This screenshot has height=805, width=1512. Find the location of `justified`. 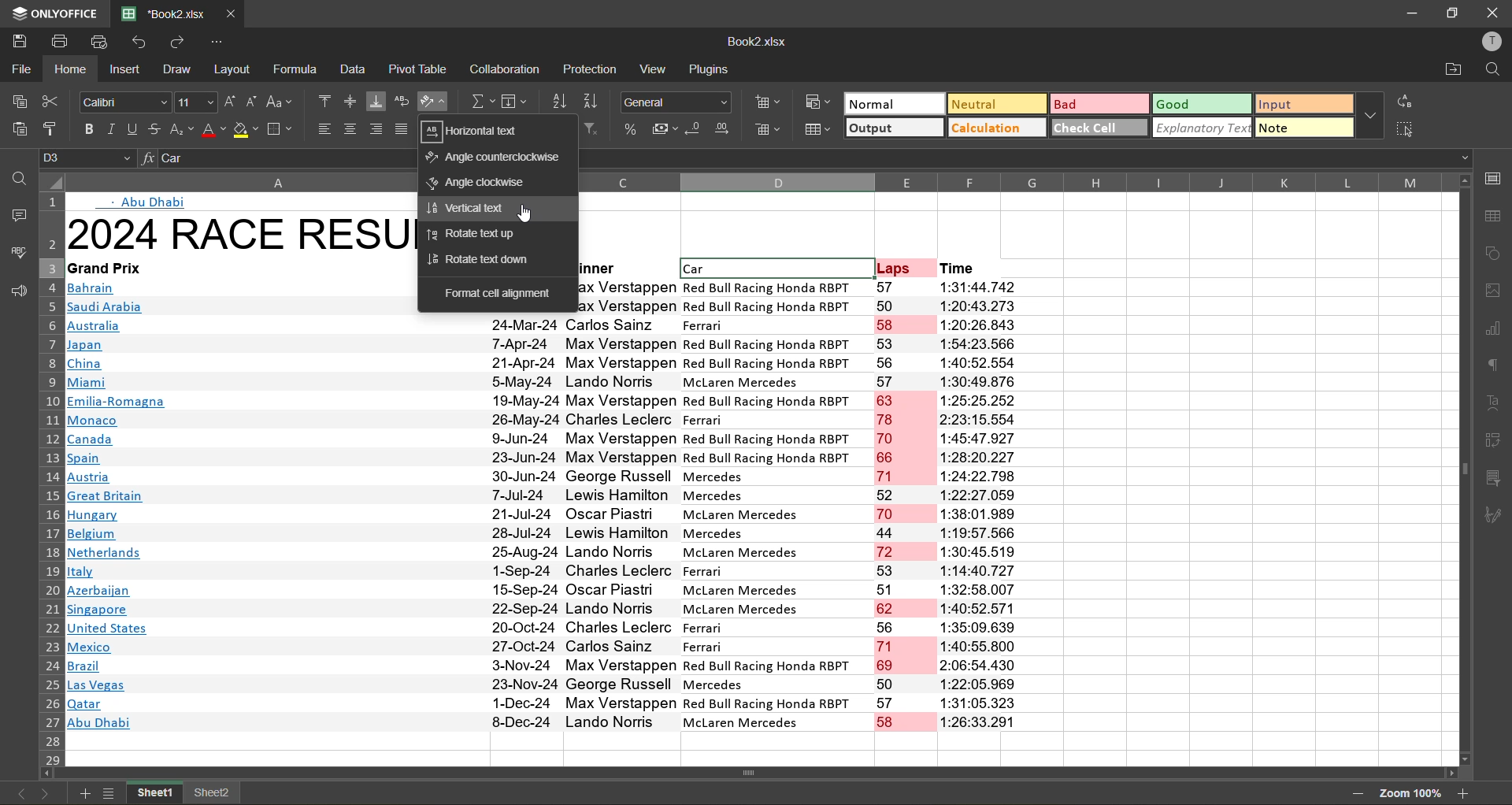

justified is located at coordinates (400, 130).